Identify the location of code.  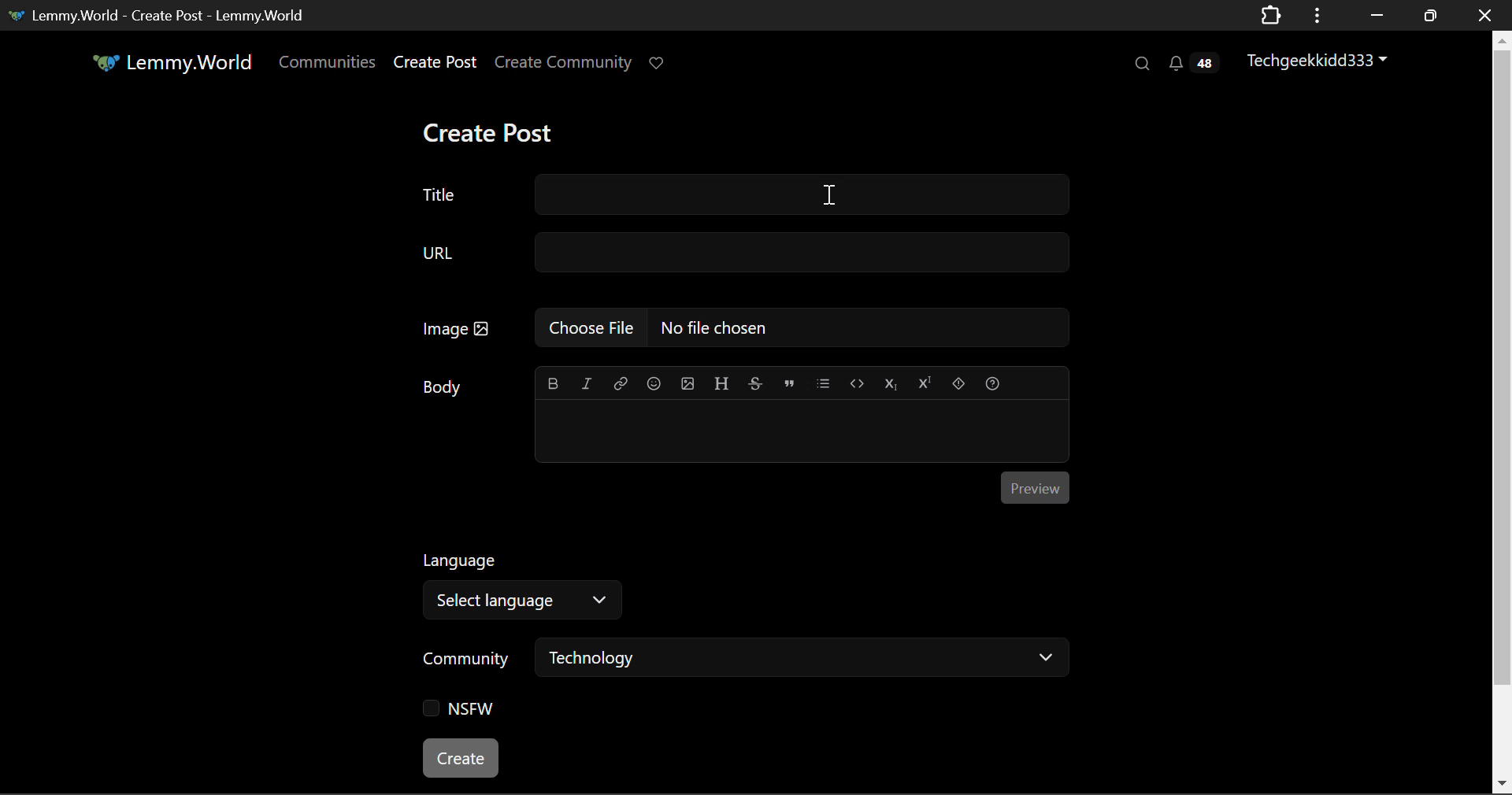
(857, 383).